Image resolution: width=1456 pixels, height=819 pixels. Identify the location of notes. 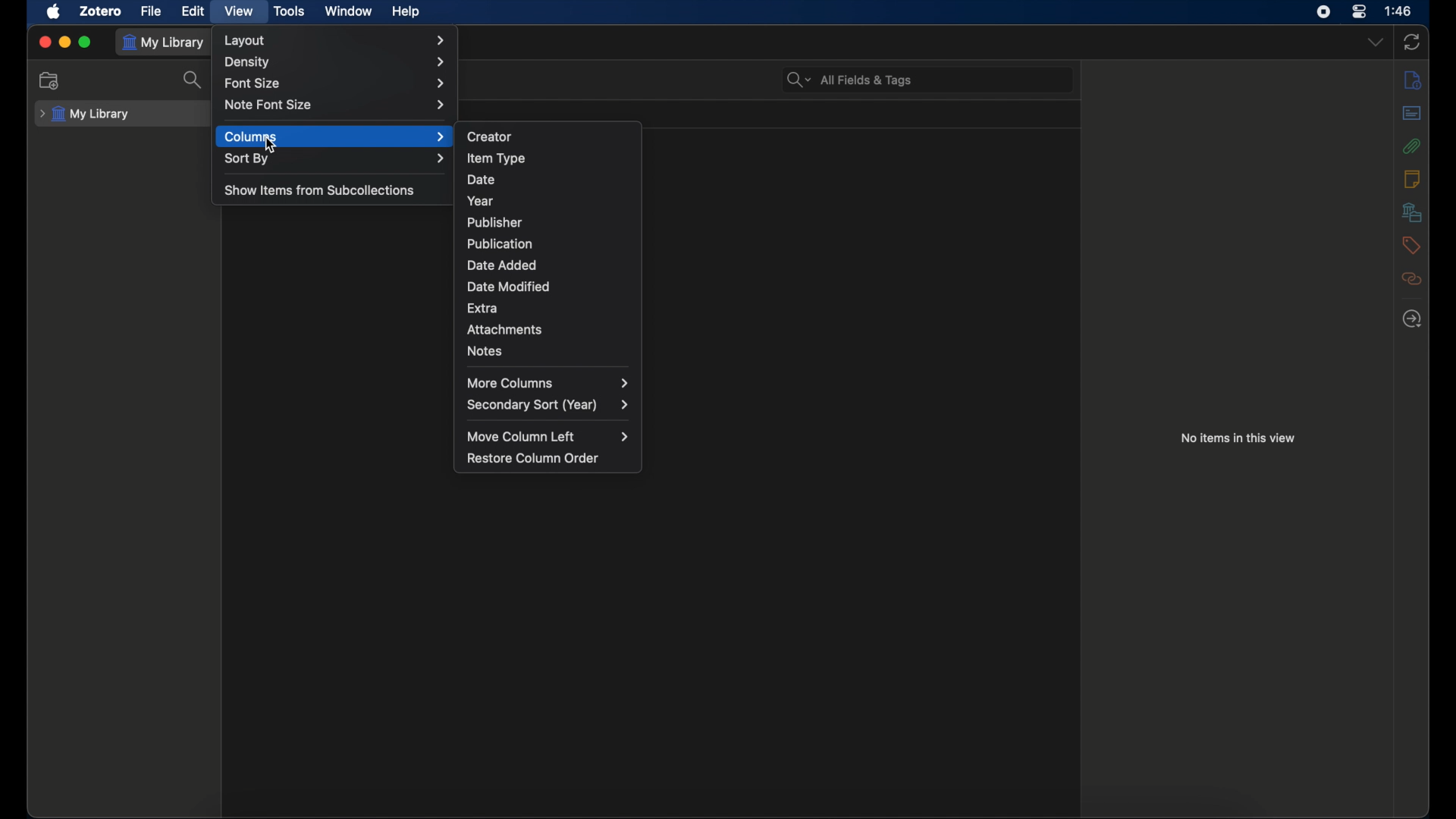
(1412, 178).